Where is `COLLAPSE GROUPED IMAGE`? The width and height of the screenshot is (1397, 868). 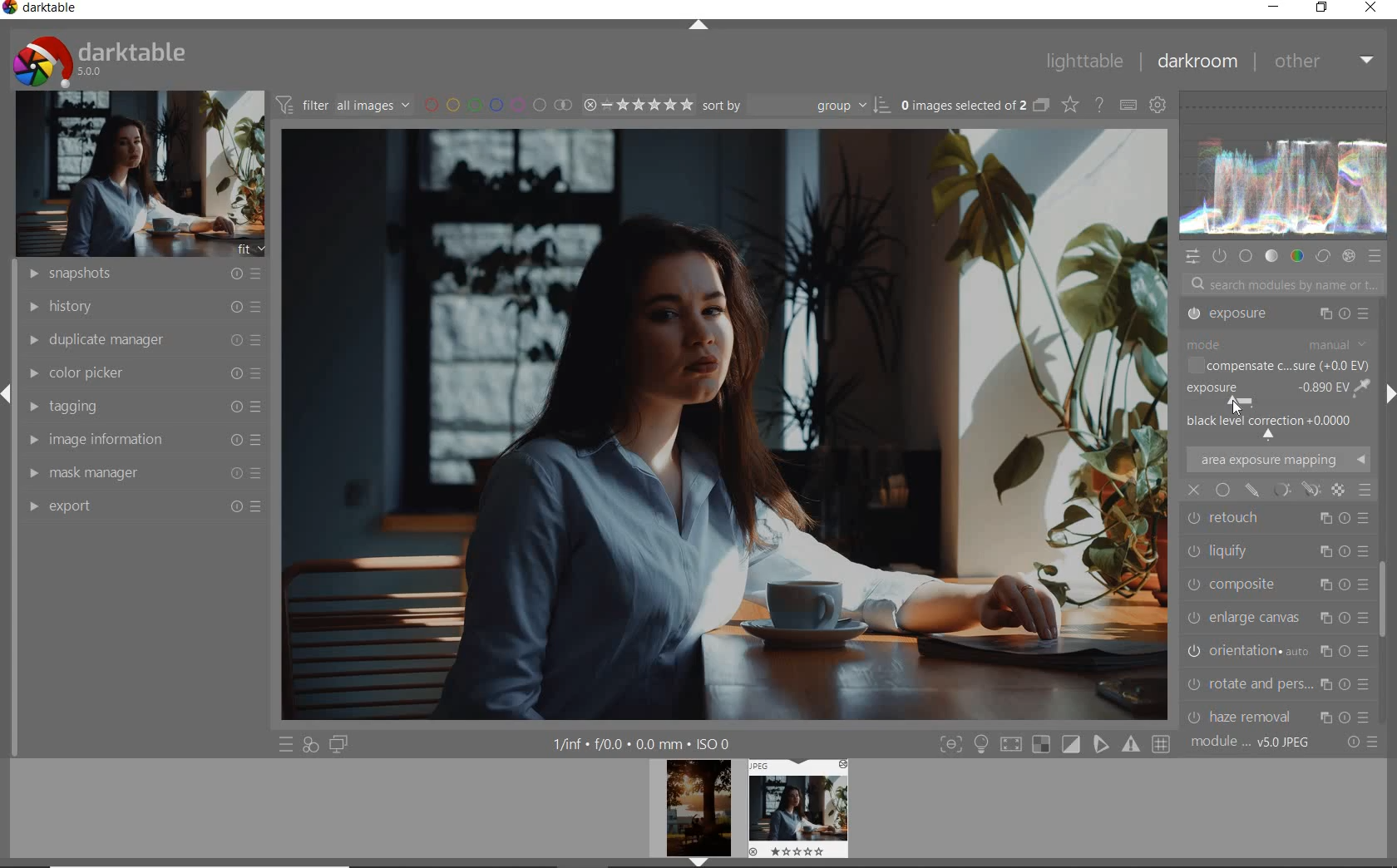 COLLAPSE GROUPED IMAGE is located at coordinates (1040, 106).